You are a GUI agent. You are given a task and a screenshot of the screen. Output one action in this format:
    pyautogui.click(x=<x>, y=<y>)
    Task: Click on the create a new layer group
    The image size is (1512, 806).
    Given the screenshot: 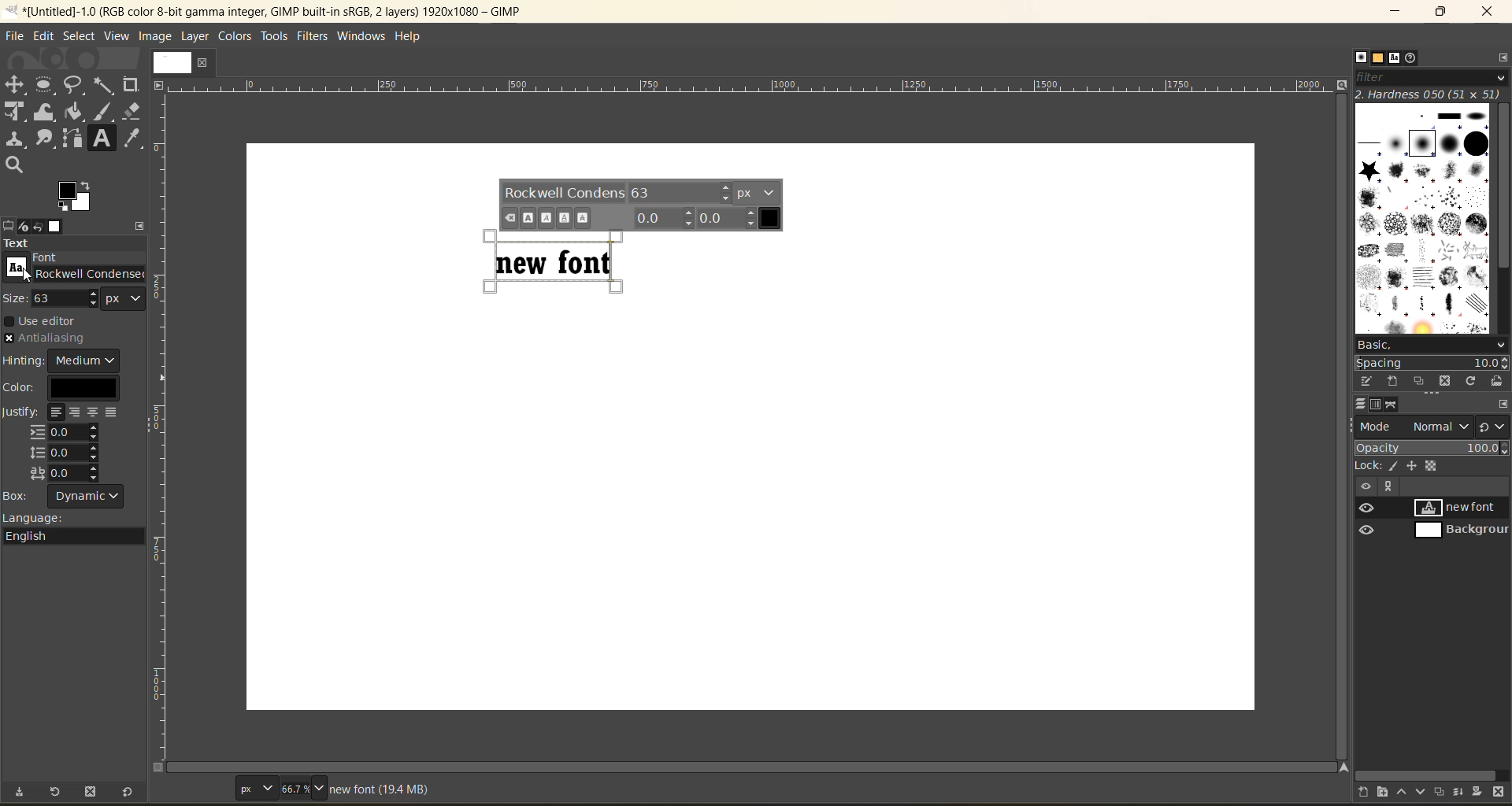 What is the action you would take?
    pyautogui.click(x=1384, y=793)
    